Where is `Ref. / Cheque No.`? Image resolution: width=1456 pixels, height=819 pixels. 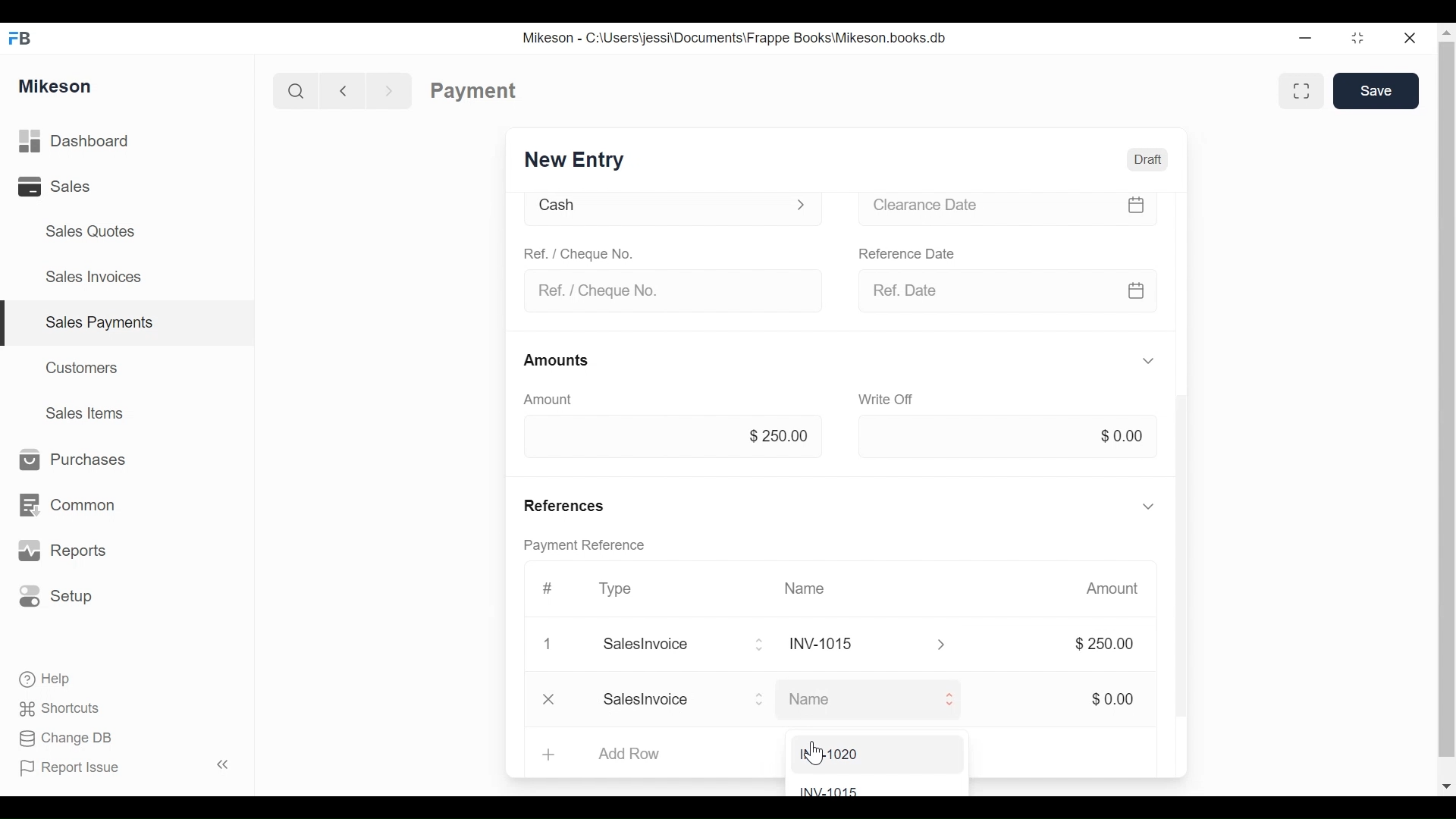
Ref. / Cheque No. is located at coordinates (594, 256).